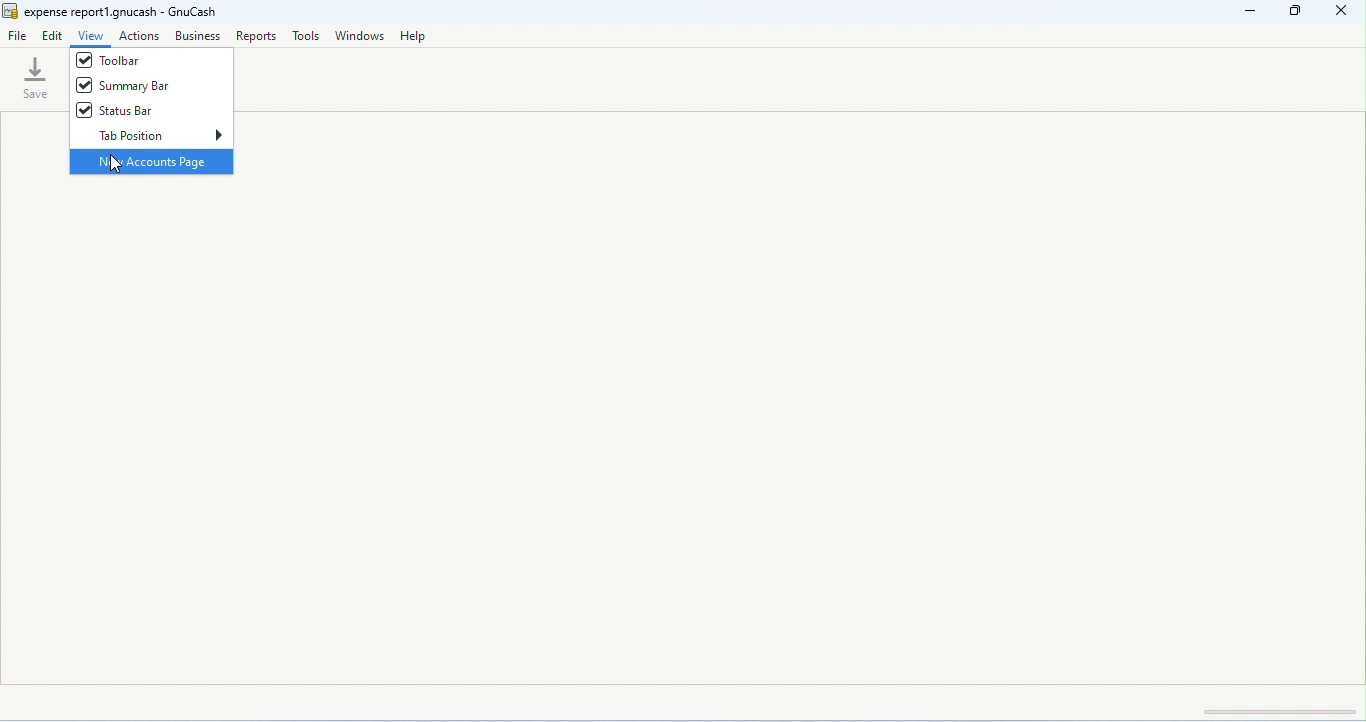 This screenshot has width=1366, height=722. What do you see at coordinates (306, 36) in the screenshot?
I see `tools` at bounding box center [306, 36].